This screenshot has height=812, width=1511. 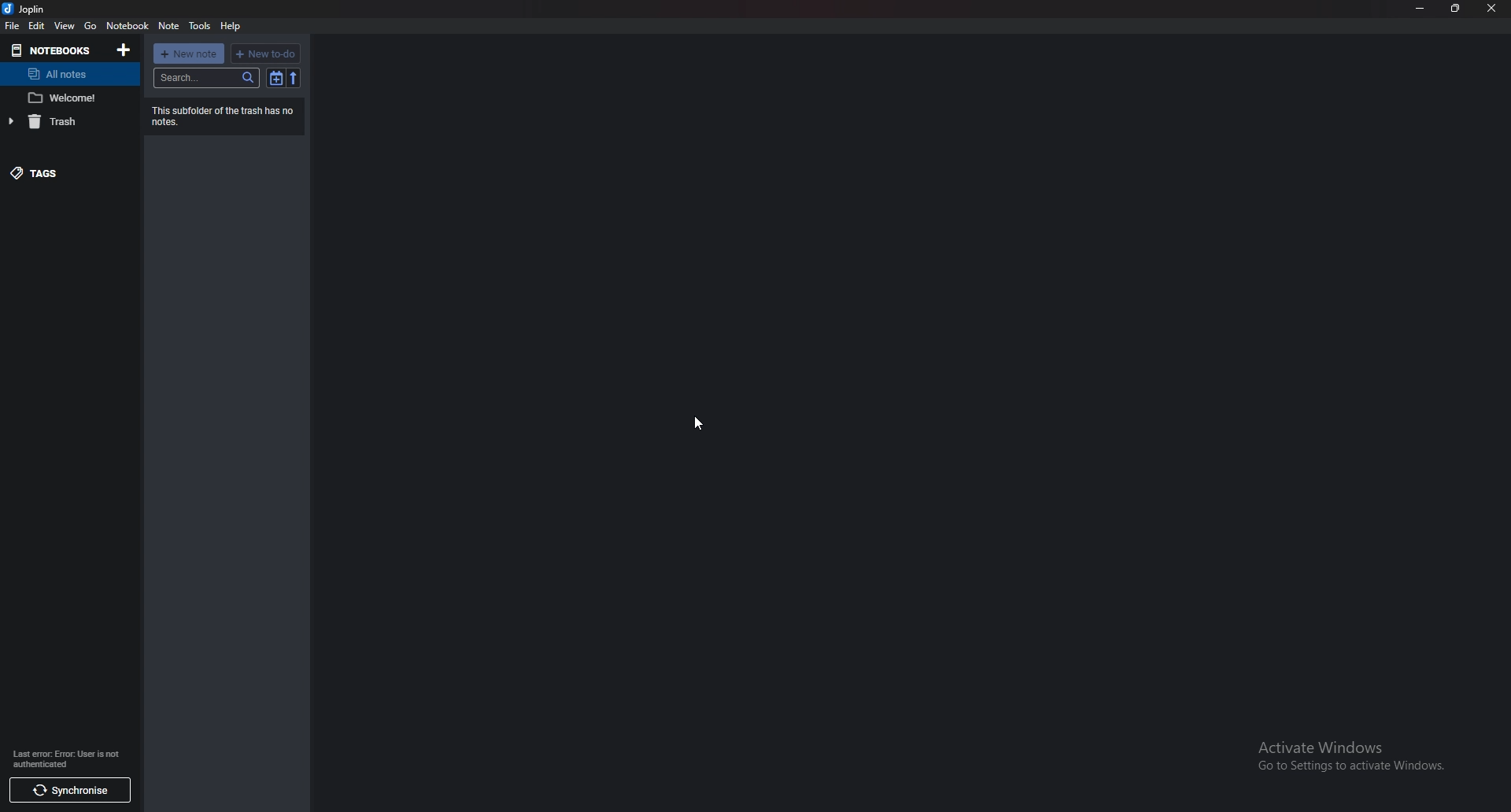 I want to click on Search, so click(x=208, y=77).